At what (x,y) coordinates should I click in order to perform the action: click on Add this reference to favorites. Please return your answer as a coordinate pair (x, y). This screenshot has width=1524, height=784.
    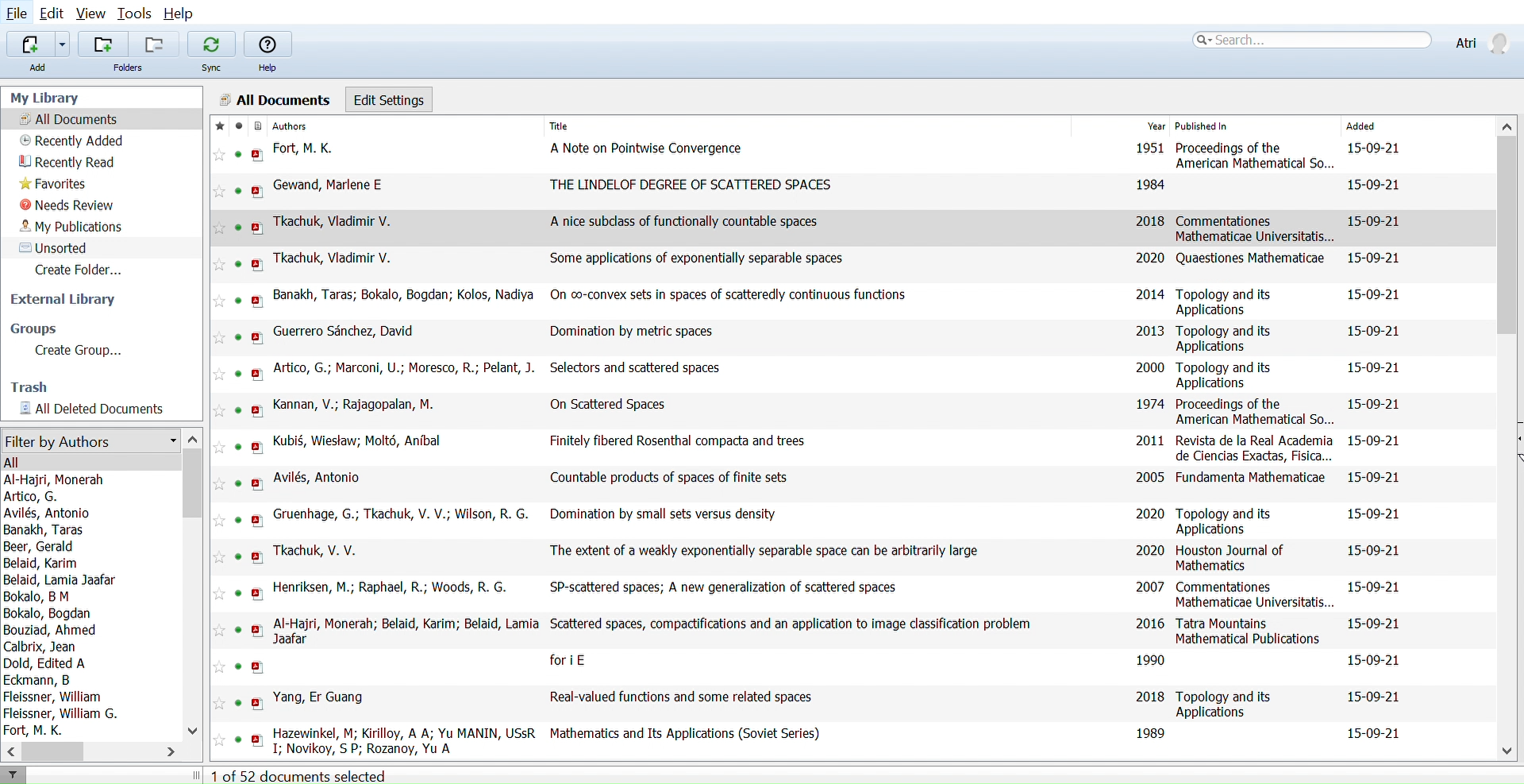
    Looking at the image, I should click on (220, 410).